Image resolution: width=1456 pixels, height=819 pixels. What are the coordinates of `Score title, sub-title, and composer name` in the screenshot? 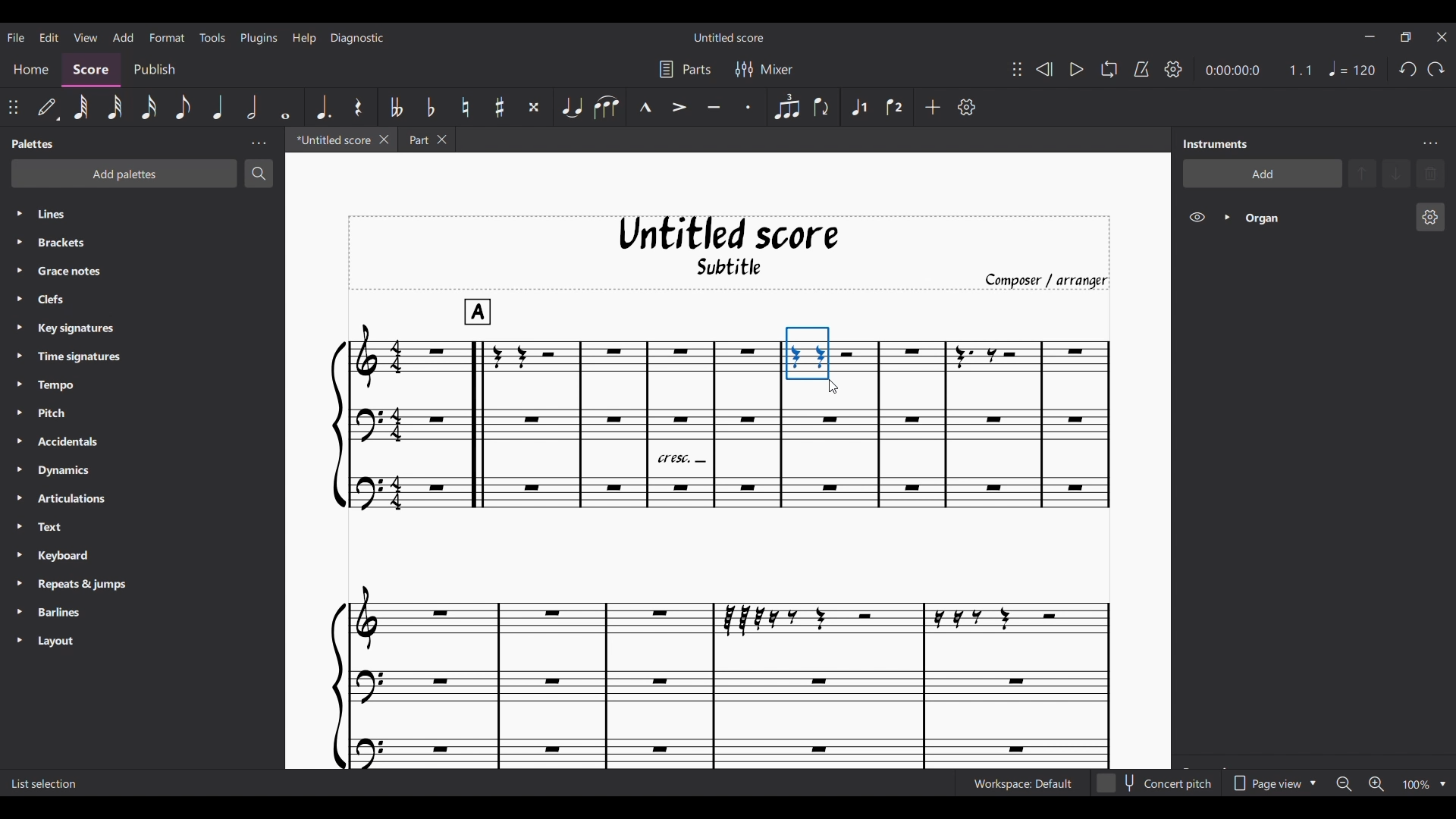 It's located at (730, 253).